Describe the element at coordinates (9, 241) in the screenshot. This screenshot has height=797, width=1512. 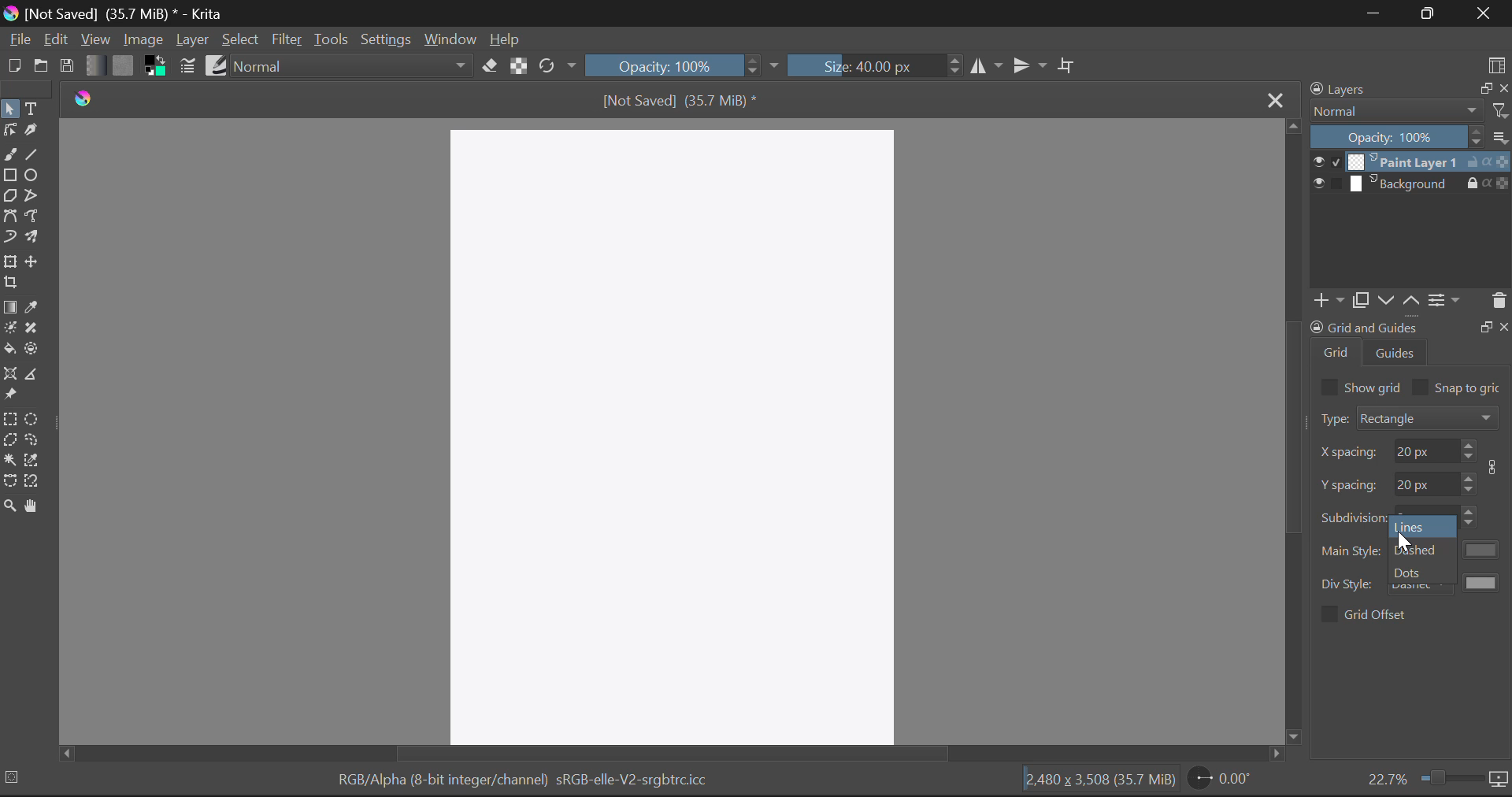
I see `Dynamic Brush Tool` at that location.